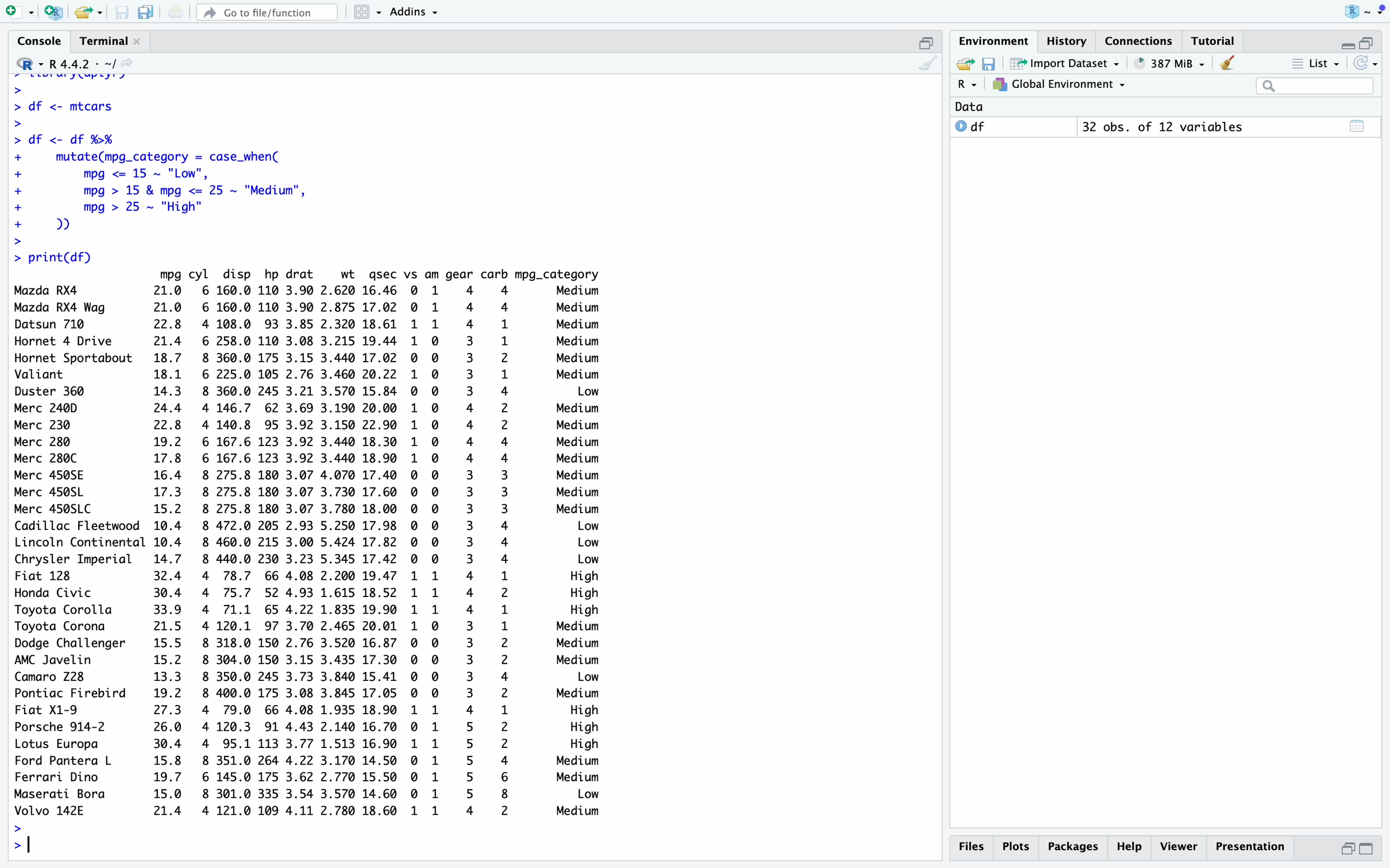 The height and width of the screenshot is (868, 1390). Describe the element at coordinates (313, 544) in the screenshot. I see `mpg cyl disp hp drat wt gsec vs am gear carb mpg_category
Mazda RX4 21.0 6 160.0 110 3.90 2.620 16.46 0 1 4 4 Medium
Mazda RX4 Wag 21.0 6 160.0 110 3.90 2.875 17.02 © 1 4 4 Medium
Datsun 710 22.8 4108.0 93 3.852.320 18.61 1 1 4 1 Medium
Hornet 4 Drive 21.4 6 258.0 110 3.08 3.215 19.44 1 0 3 1 Medium
Hornet Sportabout 18.7 8 360.0 175 3.15 3.440 17.02 0 © 3 2 Medium
Valiant 18.1 6 225.0 105 2.76 3.460 20.22 1 © 3 1 Medium
Duster 360 14.3 8 360.0 245 3.21 3.570 15.84 © © 3 4 Low
Merc 24@D 24.4 4 146.7 62 3.69 3.190 20.00 1 ©O 4 2 Medium
Merc 230 22.8 4140.8 95 3.92 3.150 22.90 1 © 4 2 Medium
Merc 280 19.2 6 167.6 123 3.92 3.440 18.30 1 © 4 4 Medium
Merc 280C 17.8 6 167.6 123 3.92 3.440 18.90 1 © 4 4 Medium
Merc 450SE 16.4 8 275.8 180 3.07 4.070 17.40 © 0 3 3 Medium
Merc 450SL 17.3 8 275.8 180 3.07 3.730 17.60 © 0 3 3 Medium
Merc 450SLC 15.2 8 275.8 180 3.07 3.780 18.00 © © 3 3 Medium
Cadillac Fleetwood 10.4 8 472.0 205 2.93 5.250 17.98 © 0 3 4 Low
Lincoln Continental 10.4 8 460.0 215 3.00 5.424 17.82 0 0 3 4 Low
Chrysler Imperial 14.7 8 440.0 230 3.23 5.345 17.42 0 © 3 4 Low
Fiat 128 32.4 4 78.7 66 4.08 2.200 19.47 1 1 4 1 High
Honda Civic 30.4 4 75.7 524.93 1.61518.52 1 1 4 2 High
Toyota Corolla 33.9 4 71.1 654.221.83519.90 1 1 4 1 High
Toyota Corona 21.5 4120.1 97 3.70 2.465 20.01 1 © 3 1 Medium
Dodge Challenger 15.5 8 318.0 150 2.76 3.520 16.87 © © 3 2 Medium
AMC Javelin 15.2 8 304.0 150 3.15 3.435 17.30 © © 3 2 Medium
Camaro 728 13.3 8 350.0 245 3.73 3.840 15.41 © © 3 4 Low
Pontiac Firebird 19.2 8 400.0 175 3.08 3.845 17.05 © 0 3 2 Medium
Fiat X1-9 27.3 4 79.0 66 4.08 1.935 18.90 1 1 4 1 High
Porsche 914-2 26.0 4 120.3 91 4.43 2.140 16.70 0 1 5 2 High
Lotus Europa 30.4 4 95.1 1133.77 1.513 16.90 1 1 5 2 High
Ford Pantera L 15.8 8 351.0 264 4.22 3.170 14.50 0 1 5 4 Medium
Ferrari Dino 19.7 6 145.0 175 3.62 2.770 15.50 © 1 5 6 Medium
Maserati Bora 15.0 8 301.0 335 3.54 3.570 14.60 0 1 5 8 Low
Volvo 142E 21.4 4121.0 109 4.11 2.780 18.60 1 1 4 2 Medium` at that location.